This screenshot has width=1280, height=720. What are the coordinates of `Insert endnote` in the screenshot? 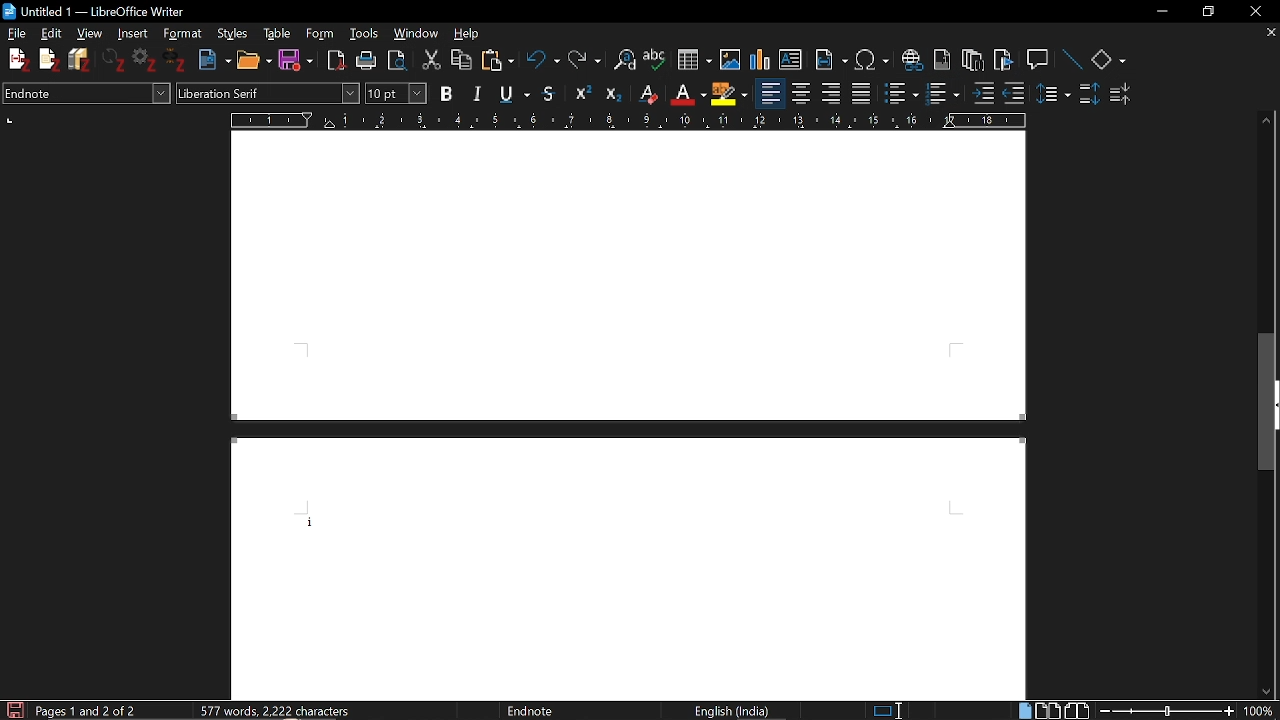 It's located at (971, 62).